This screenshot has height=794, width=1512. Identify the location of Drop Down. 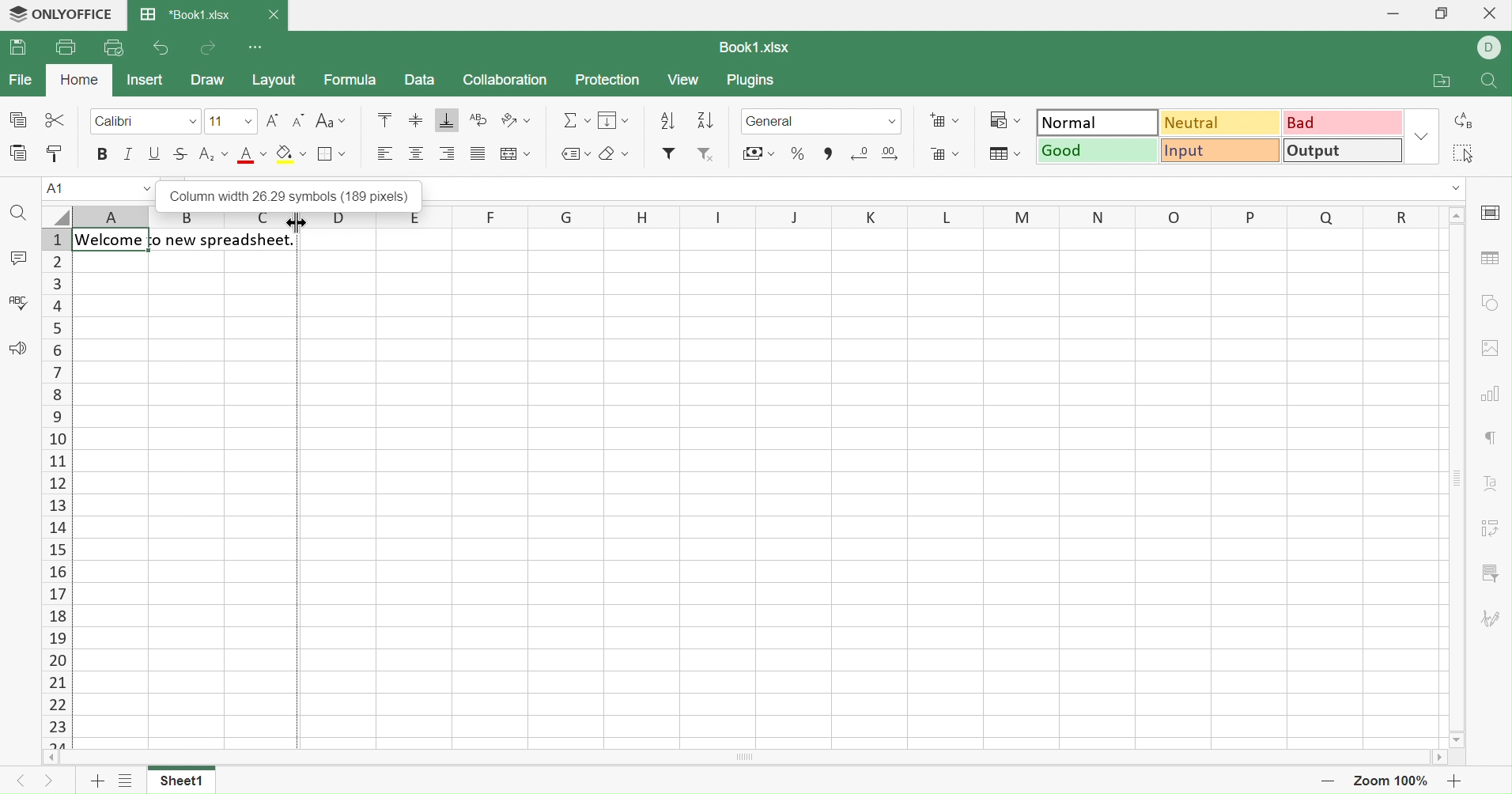
(195, 121).